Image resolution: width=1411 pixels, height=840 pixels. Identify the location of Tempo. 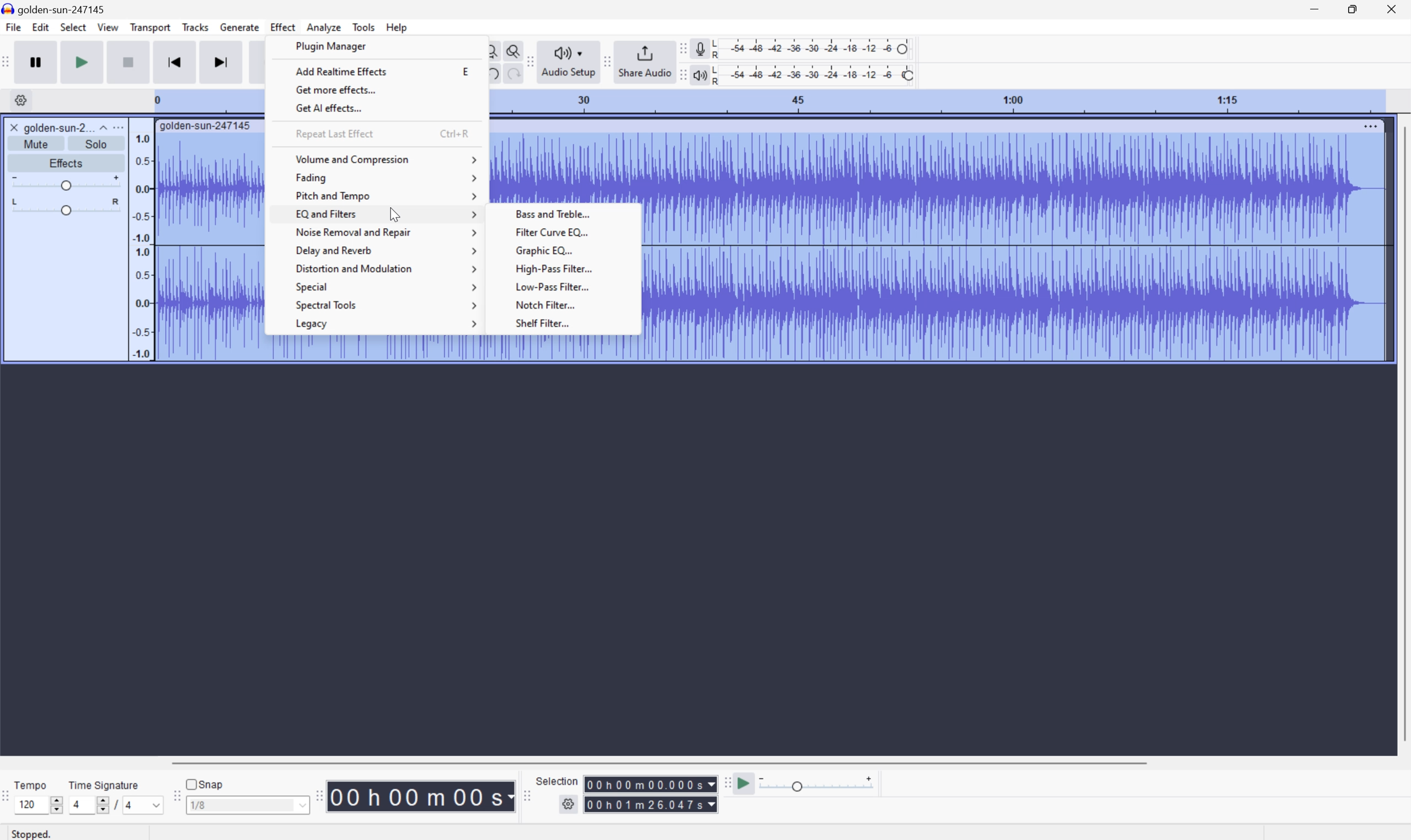
(33, 783).